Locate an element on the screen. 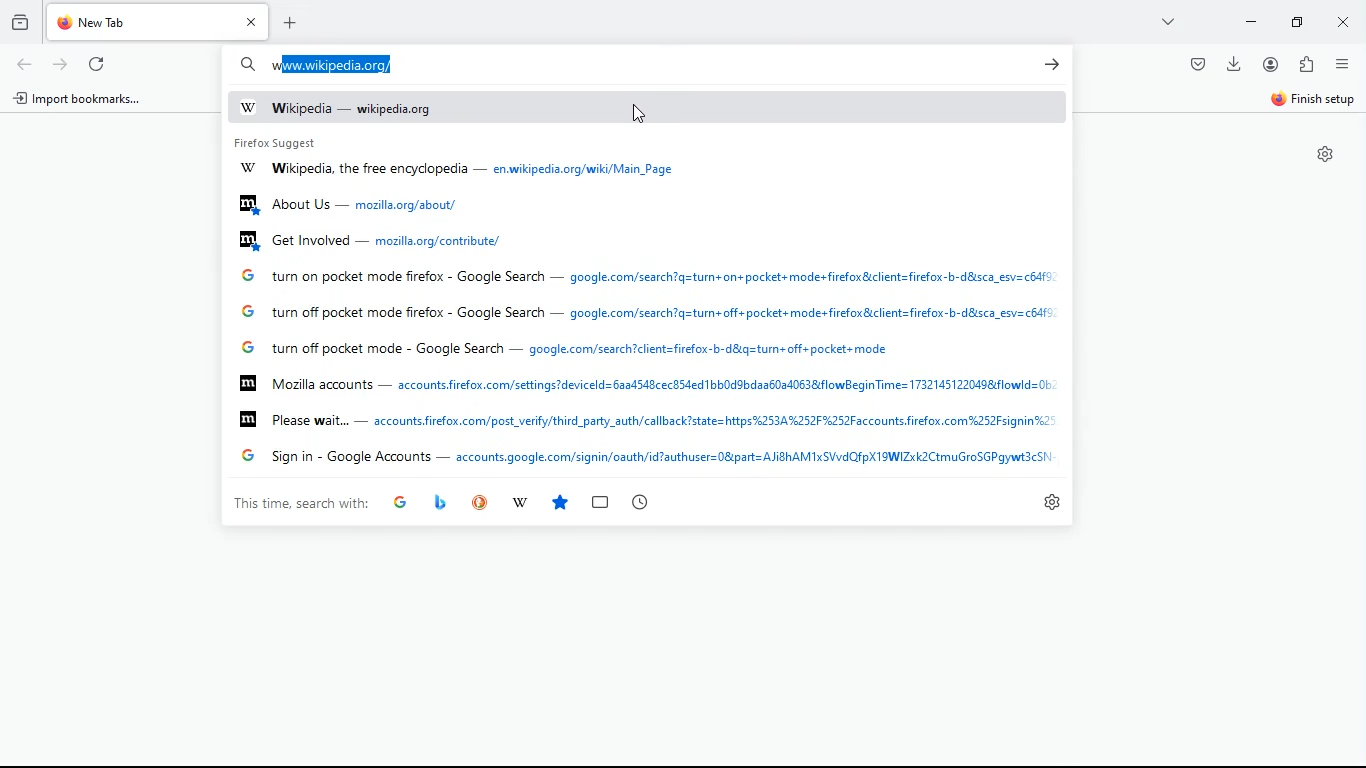 The image size is (1366, 768). www.wikipedia.org is located at coordinates (331, 64).